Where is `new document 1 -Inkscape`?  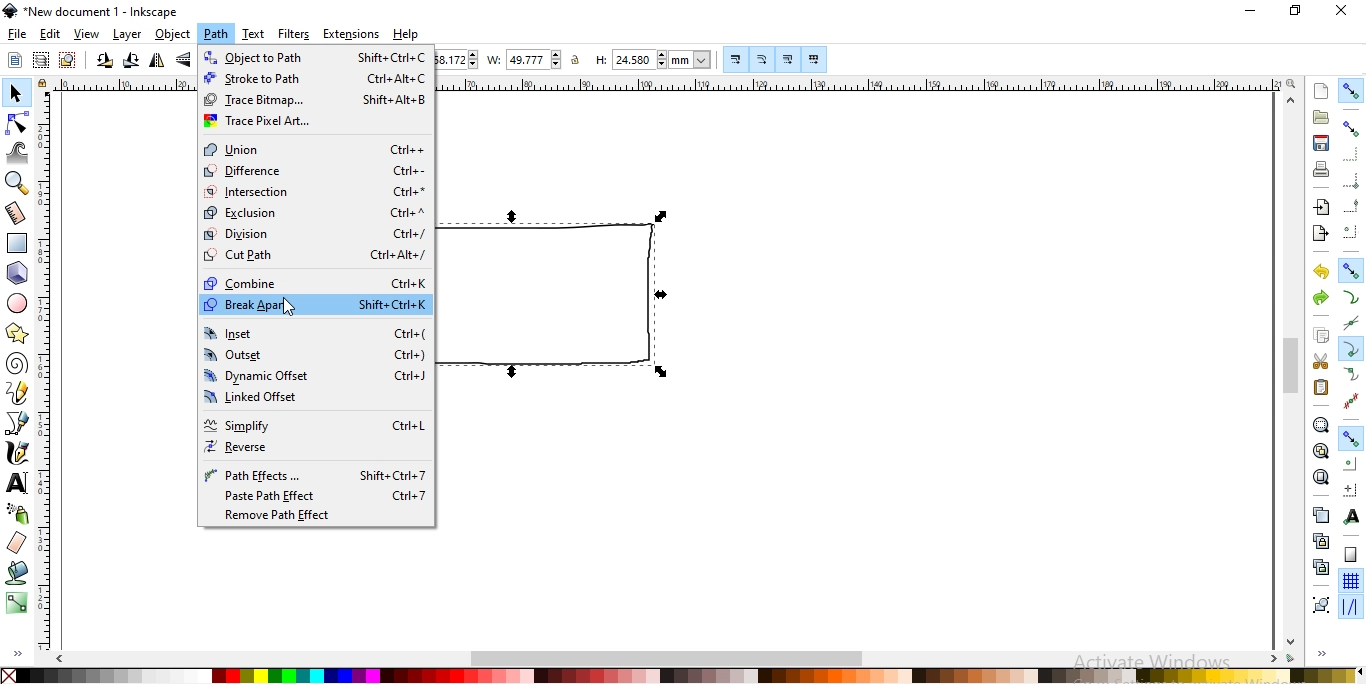
new document 1 -Inkscape is located at coordinates (94, 11).